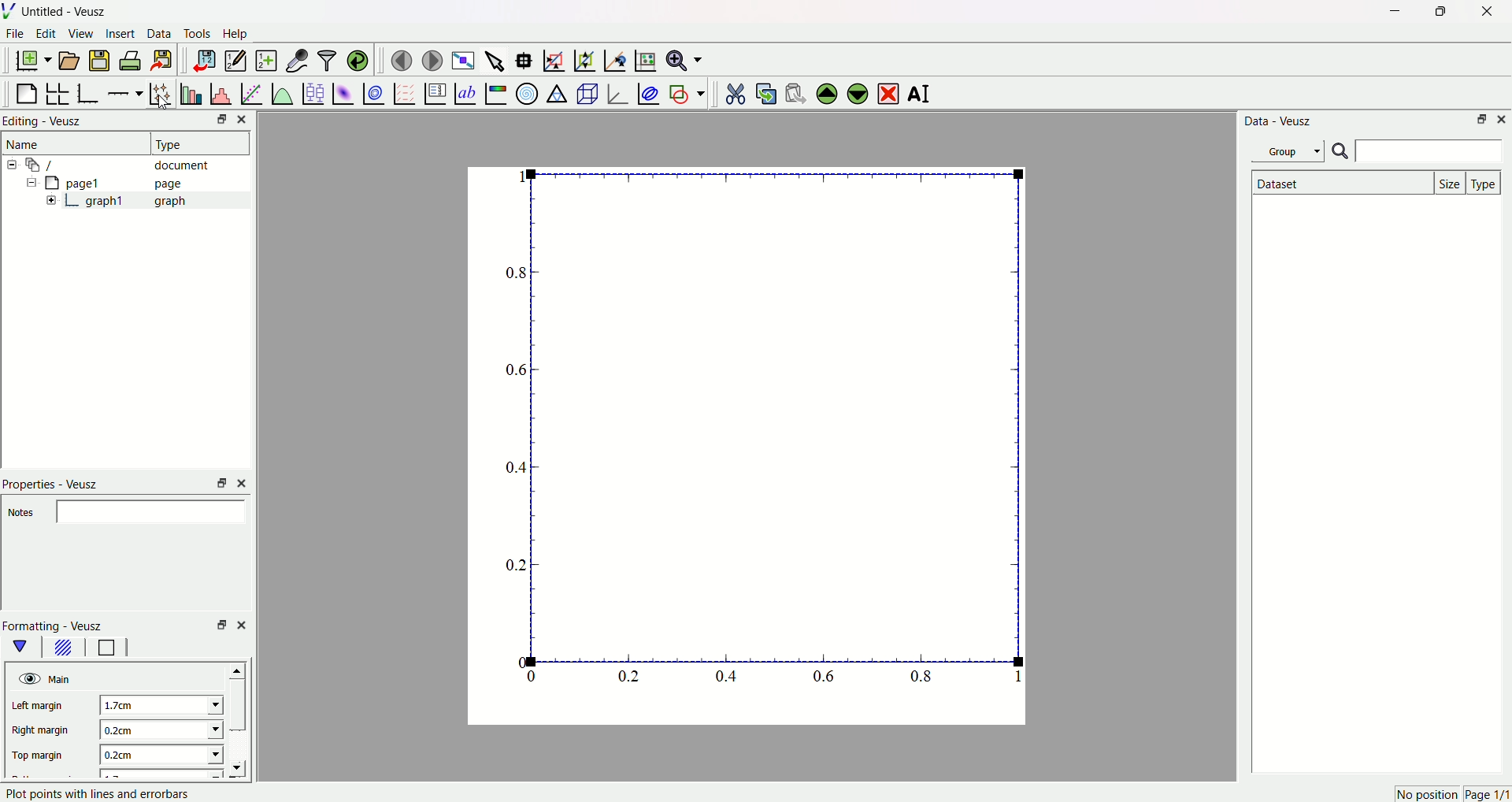  I want to click on new document, so click(35, 61).